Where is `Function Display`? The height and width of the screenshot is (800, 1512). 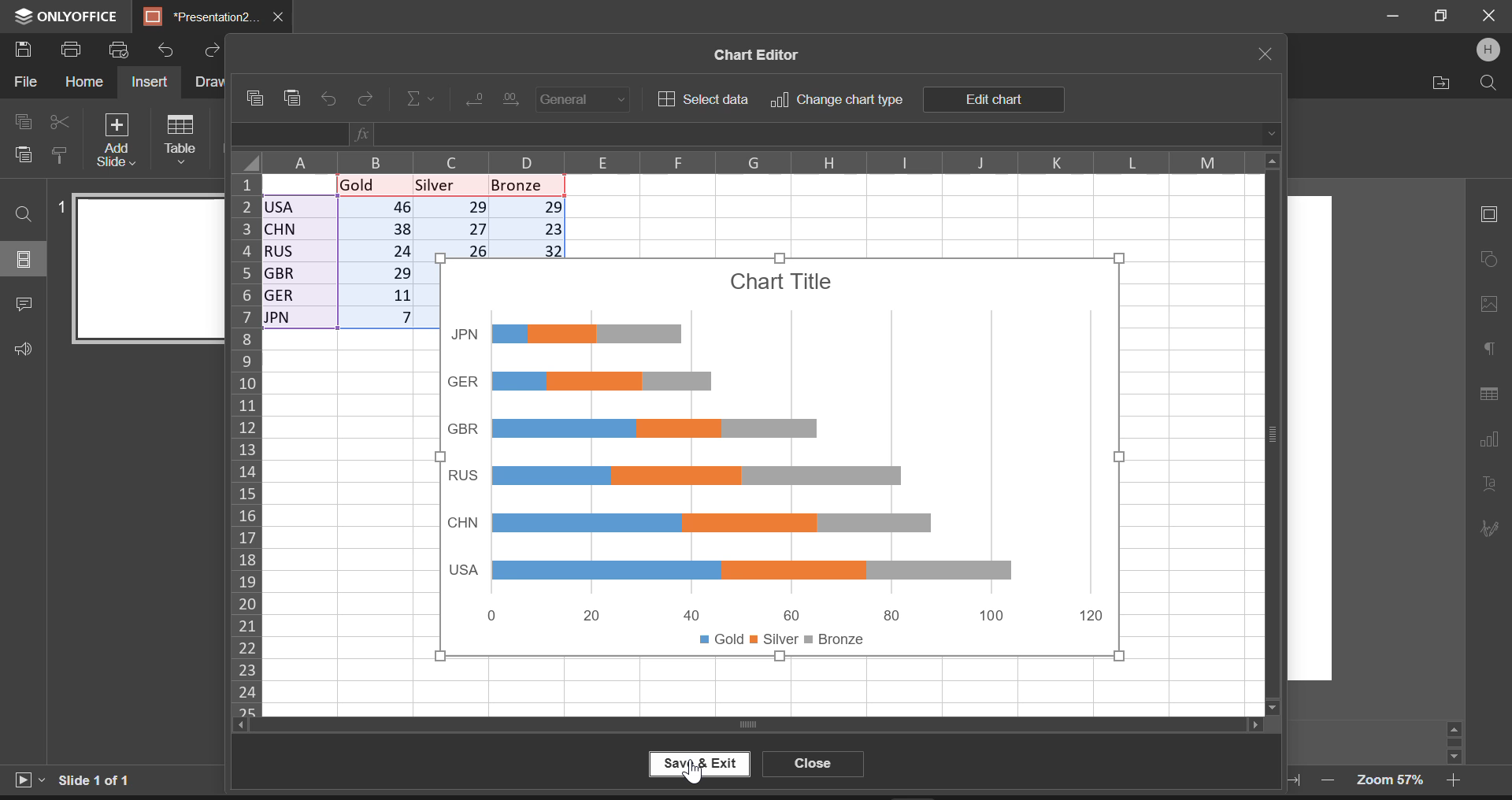
Function Display is located at coordinates (816, 135).